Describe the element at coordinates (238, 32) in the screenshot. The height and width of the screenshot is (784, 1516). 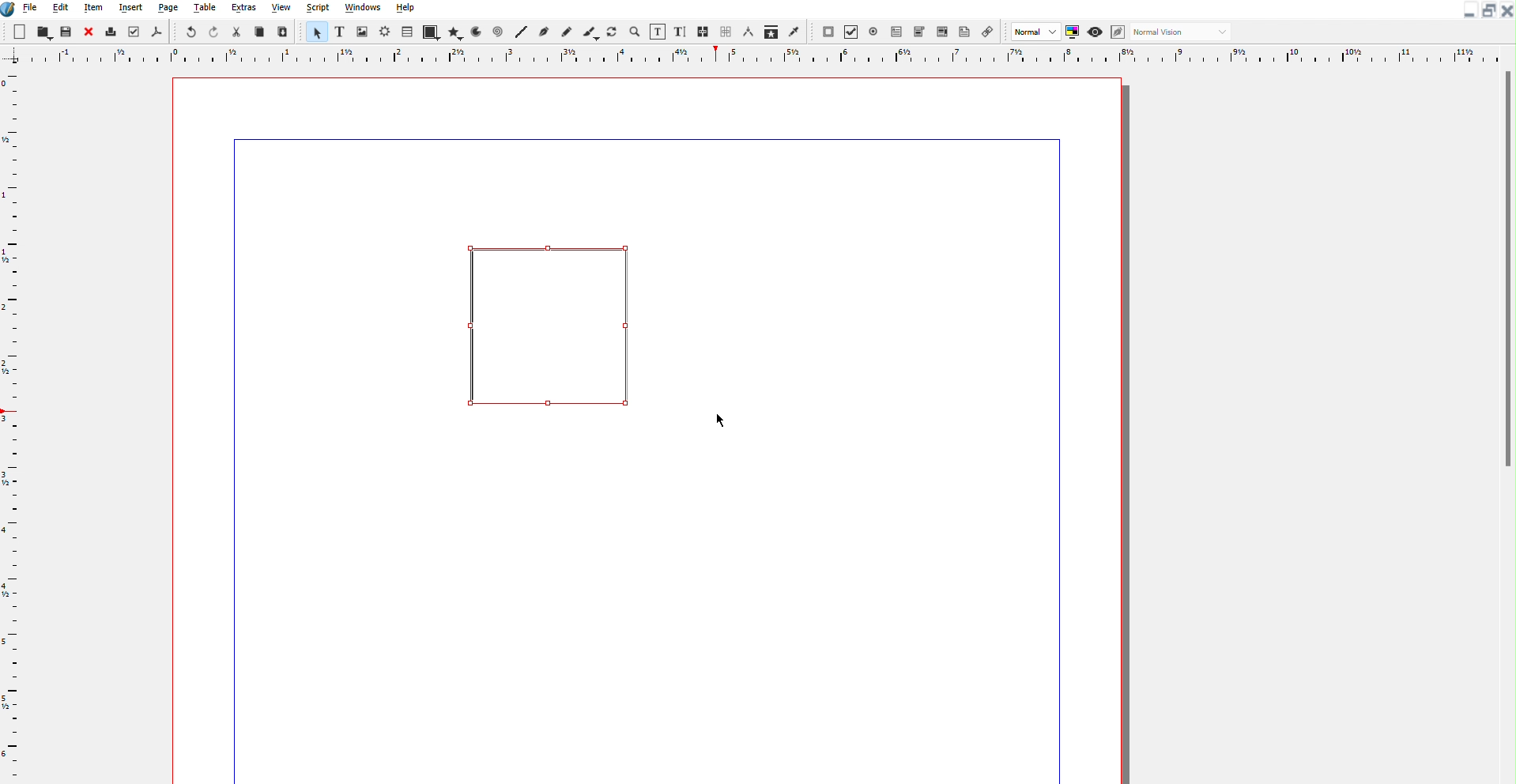
I see `Cut` at that location.